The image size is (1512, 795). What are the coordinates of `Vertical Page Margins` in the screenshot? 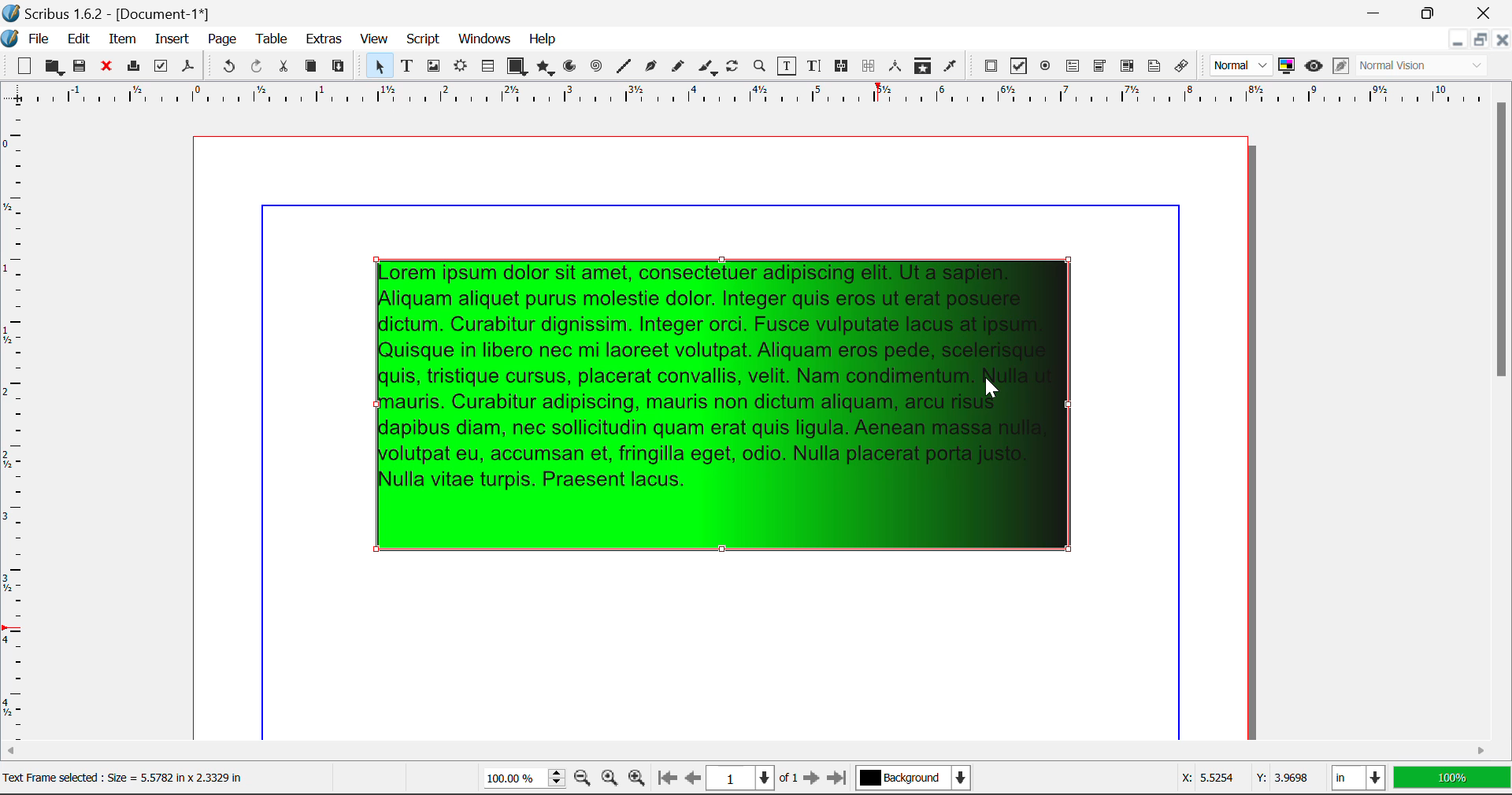 It's located at (755, 99).